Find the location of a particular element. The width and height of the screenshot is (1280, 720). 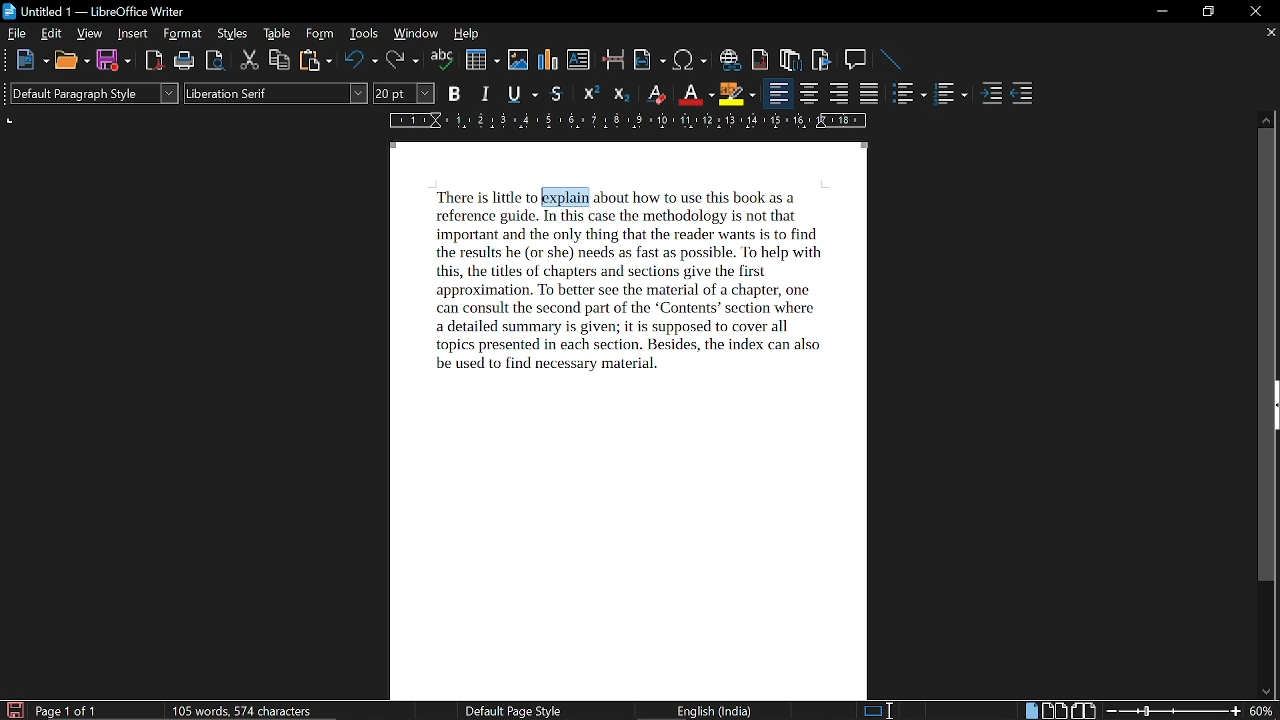

close tab is located at coordinates (1269, 34).